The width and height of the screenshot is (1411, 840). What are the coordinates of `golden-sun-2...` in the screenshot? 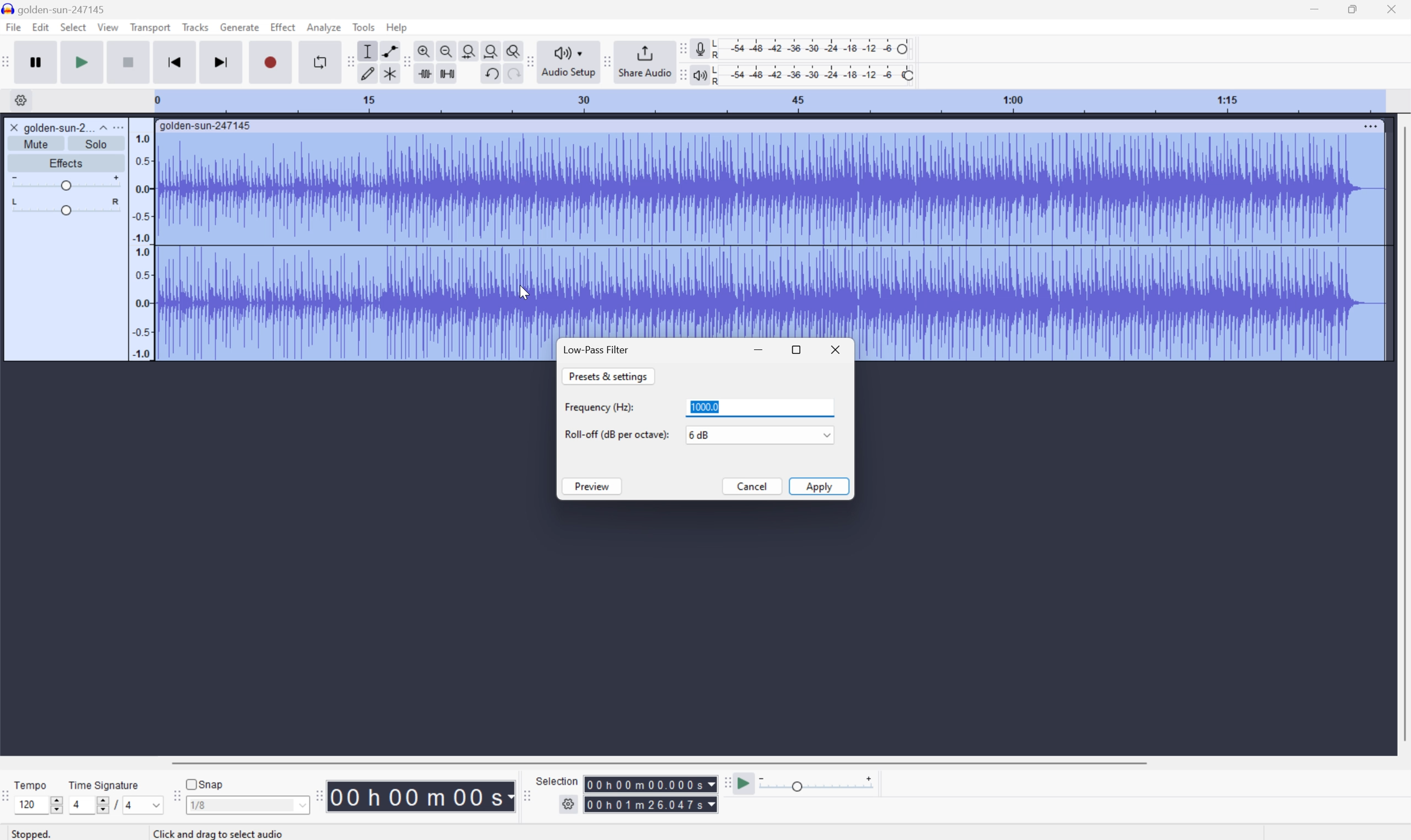 It's located at (65, 127).